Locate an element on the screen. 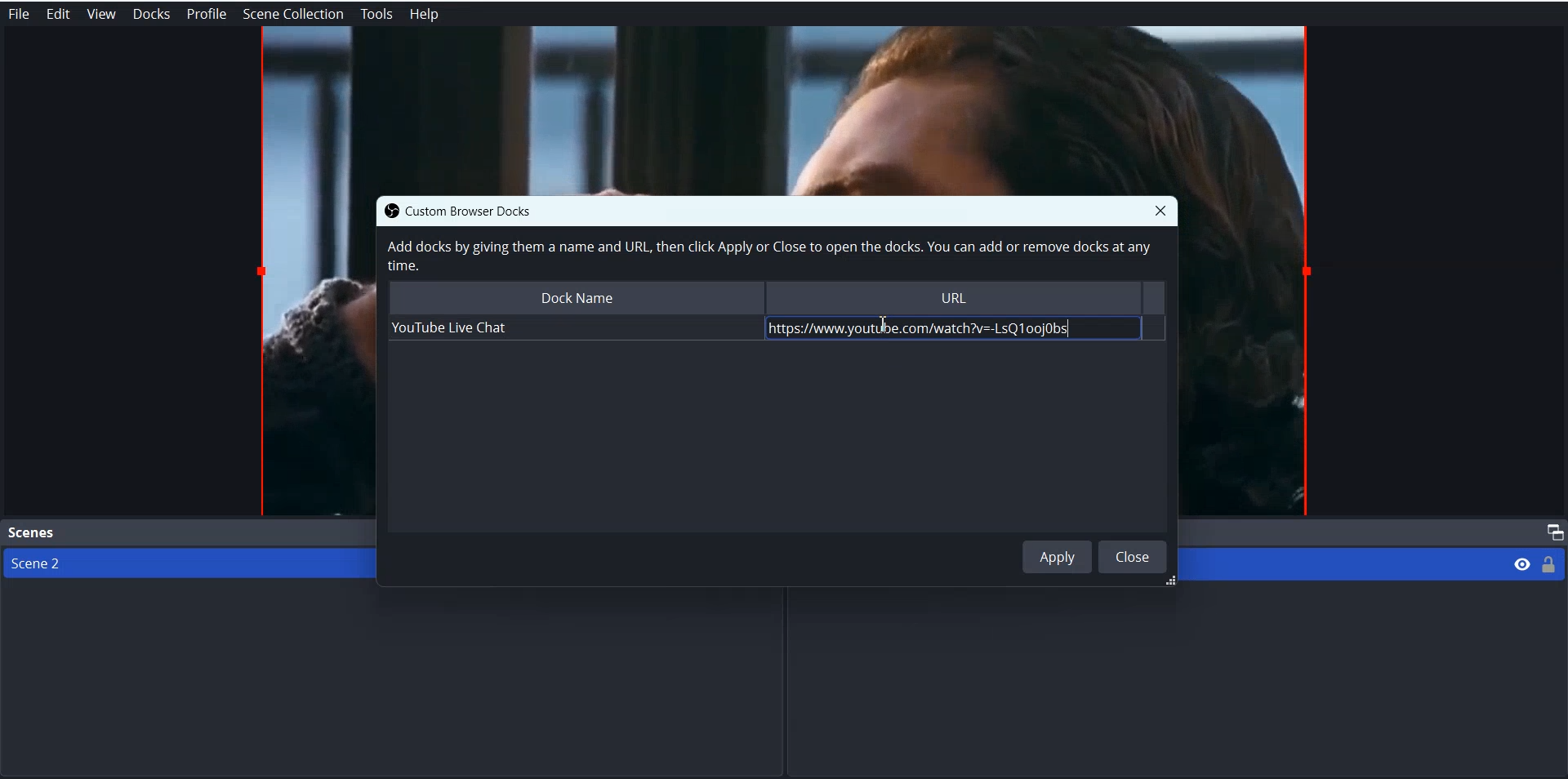  Eye is located at coordinates (1522, 563).